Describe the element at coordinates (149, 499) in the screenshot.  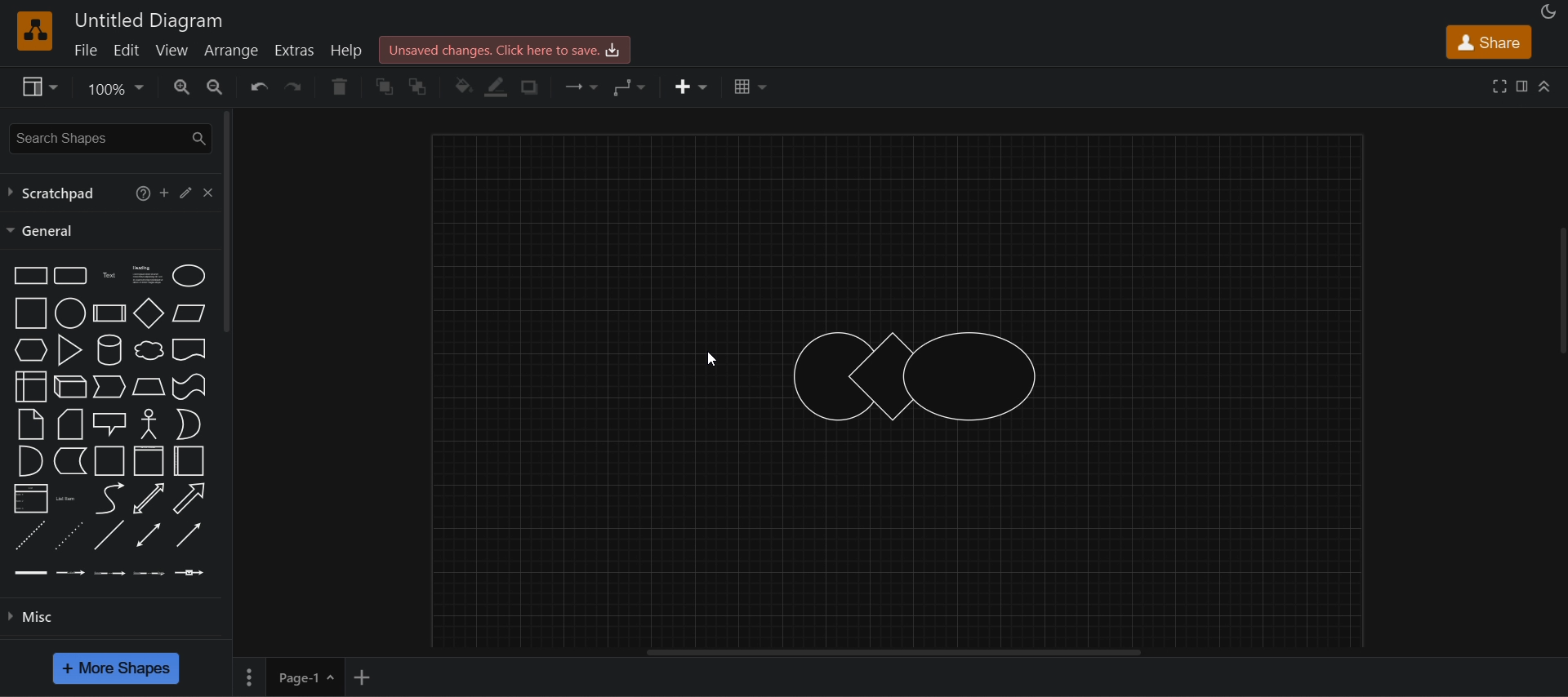
I see `Bidirectional arrow` at that location.